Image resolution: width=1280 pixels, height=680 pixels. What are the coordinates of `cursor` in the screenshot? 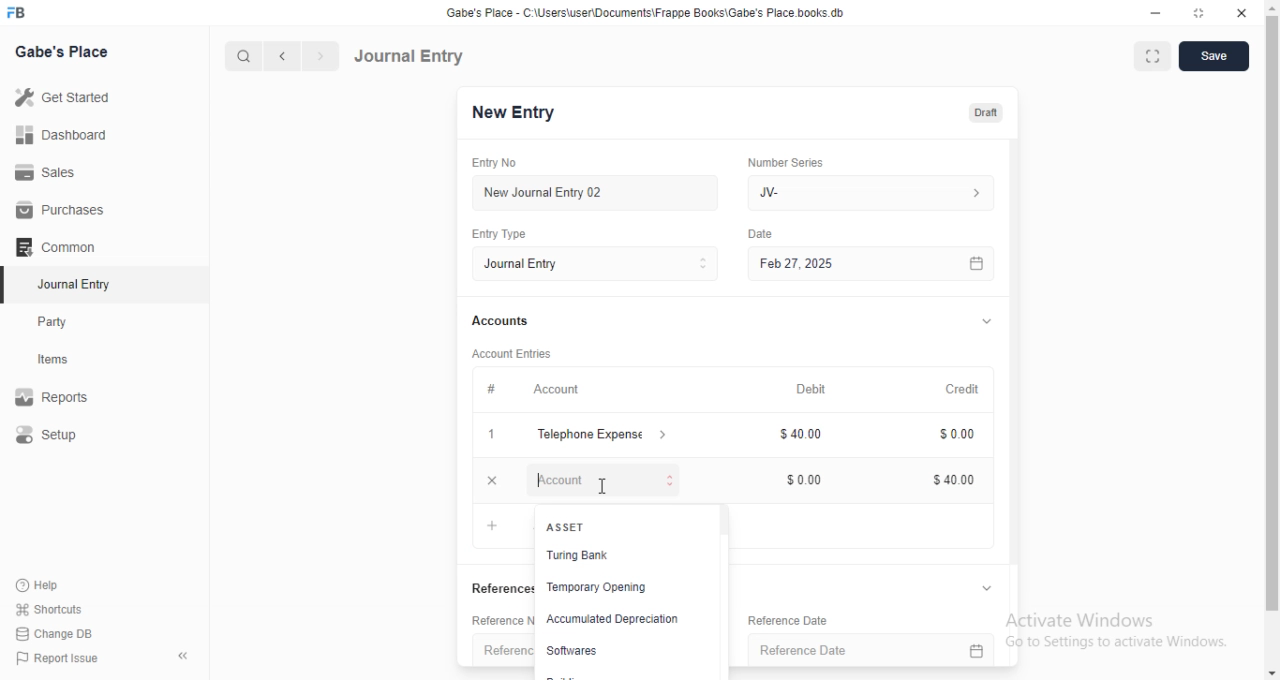 It's located at (602, 486).